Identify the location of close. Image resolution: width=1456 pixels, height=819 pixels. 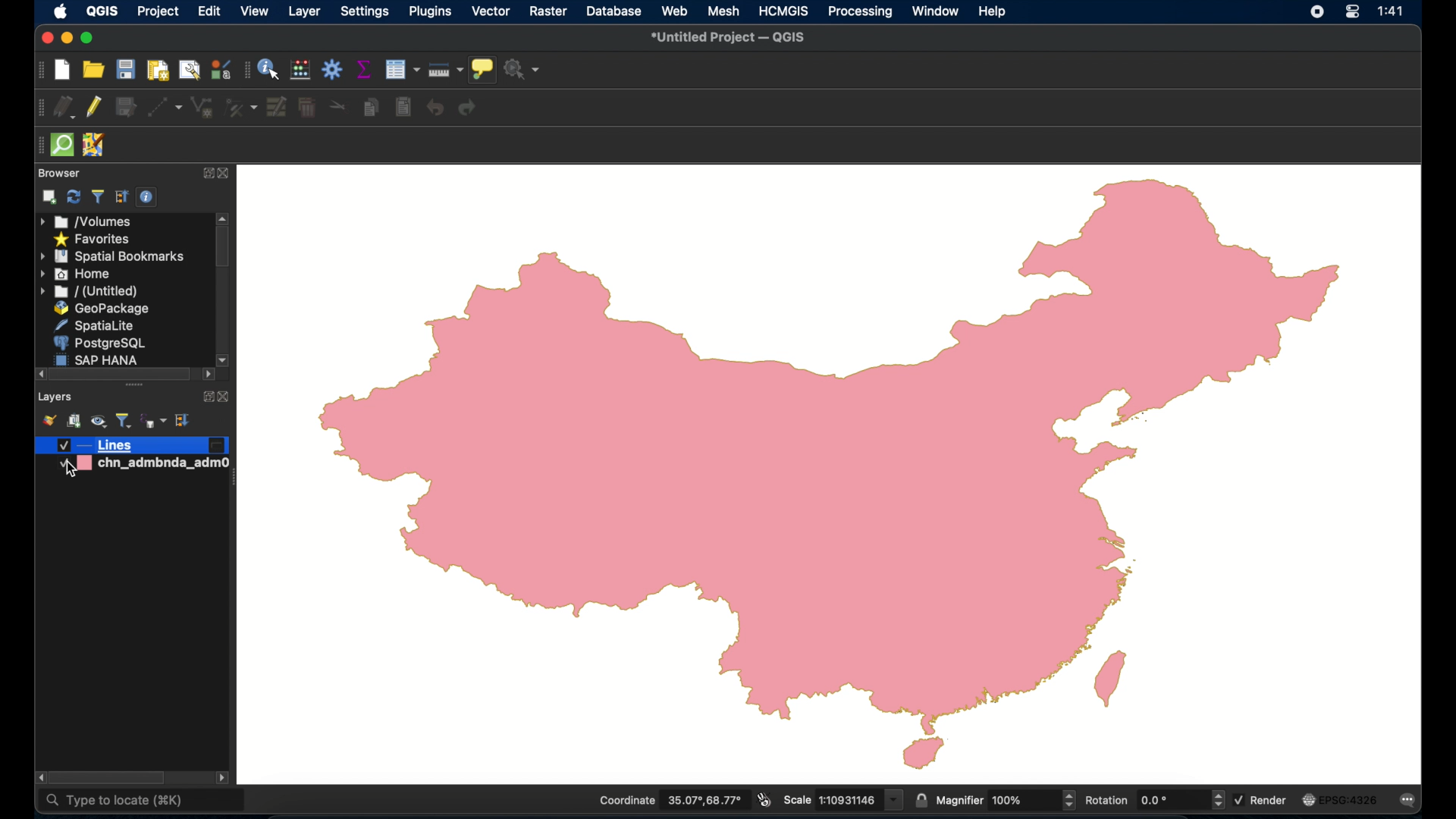
(46, 39).